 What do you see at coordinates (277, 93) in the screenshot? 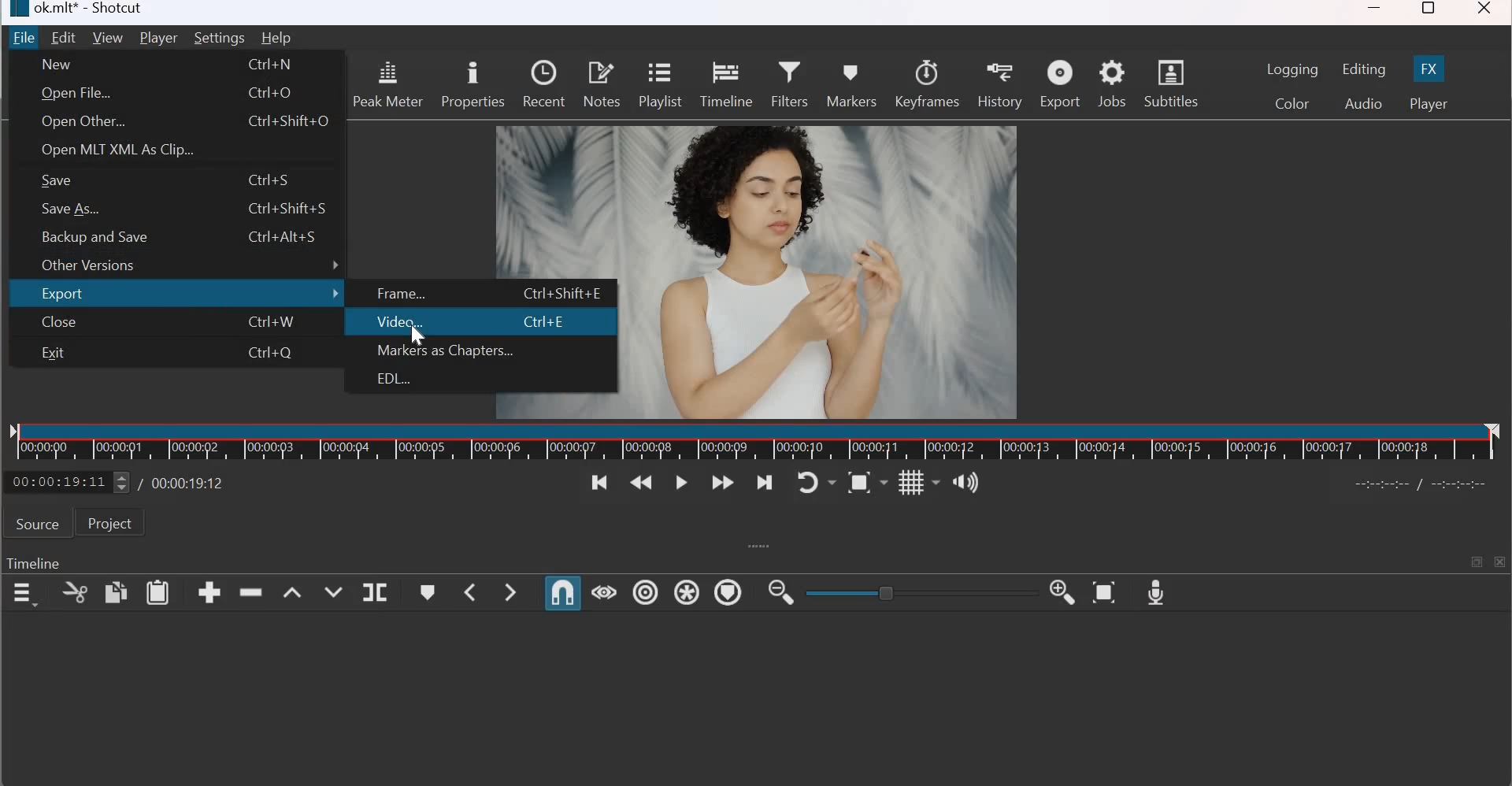
I see `Ctrl+O` at bounding box center [277, 93].